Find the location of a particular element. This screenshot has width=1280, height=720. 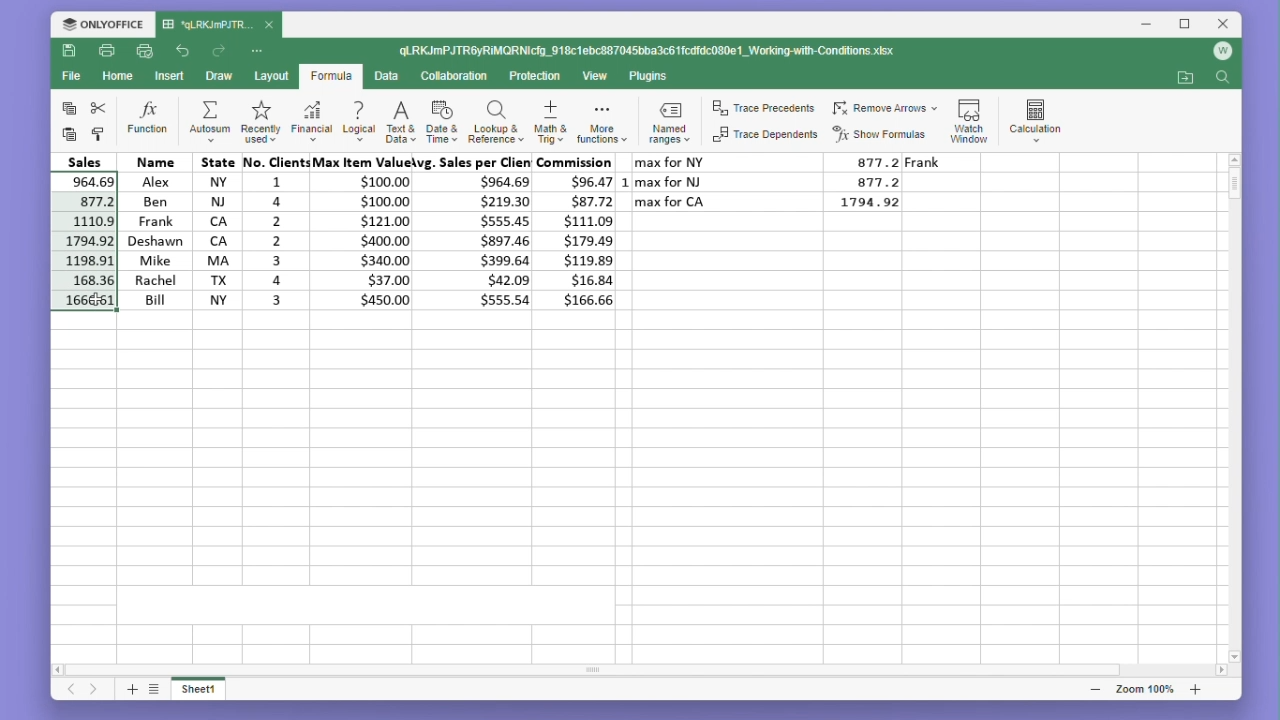

Autosum is located at coordinates (208, 121).